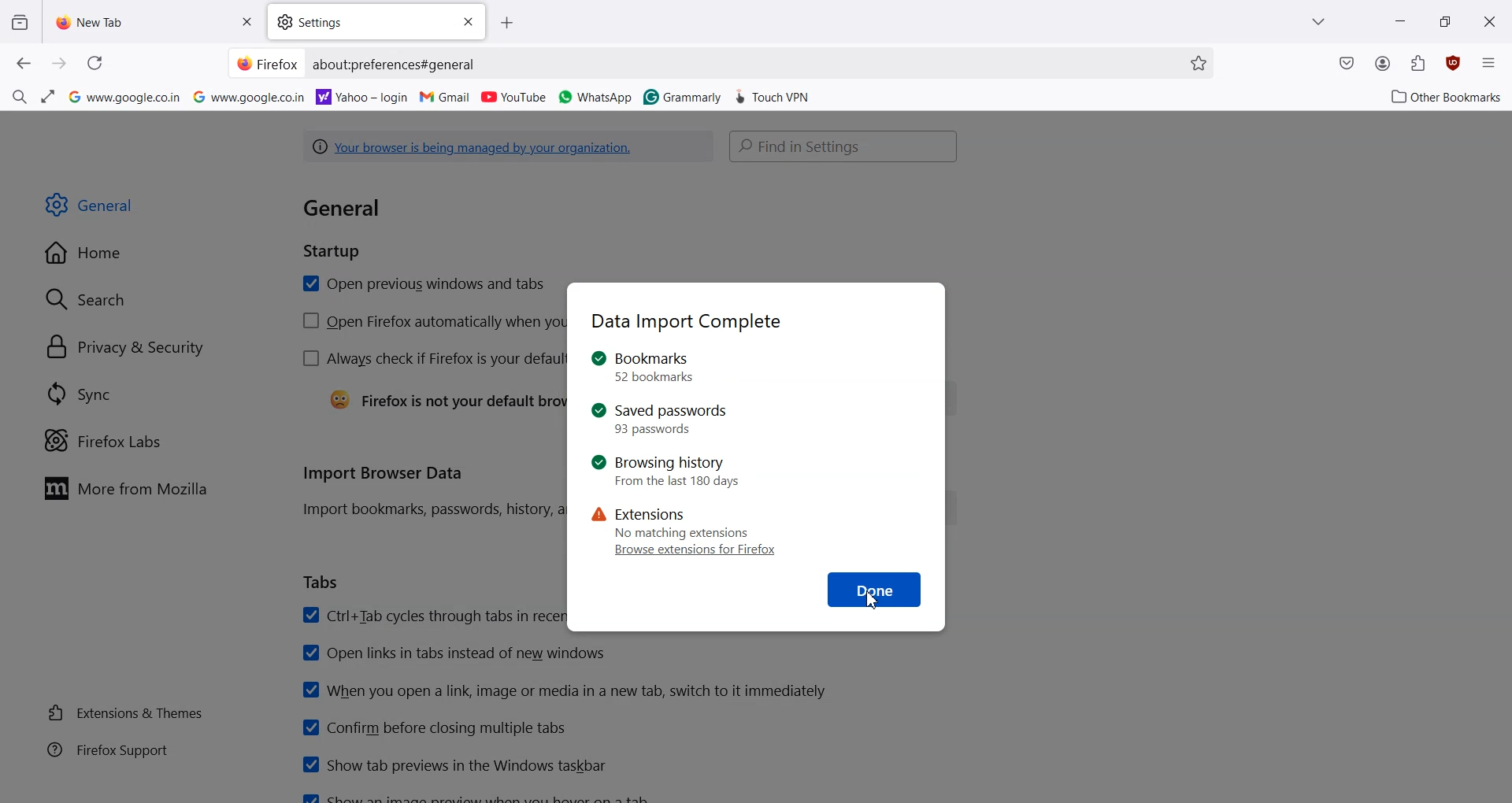 The height and width of the screenshot is (803, 1512). I want to click on Data Import Complete, so click(687, 322).